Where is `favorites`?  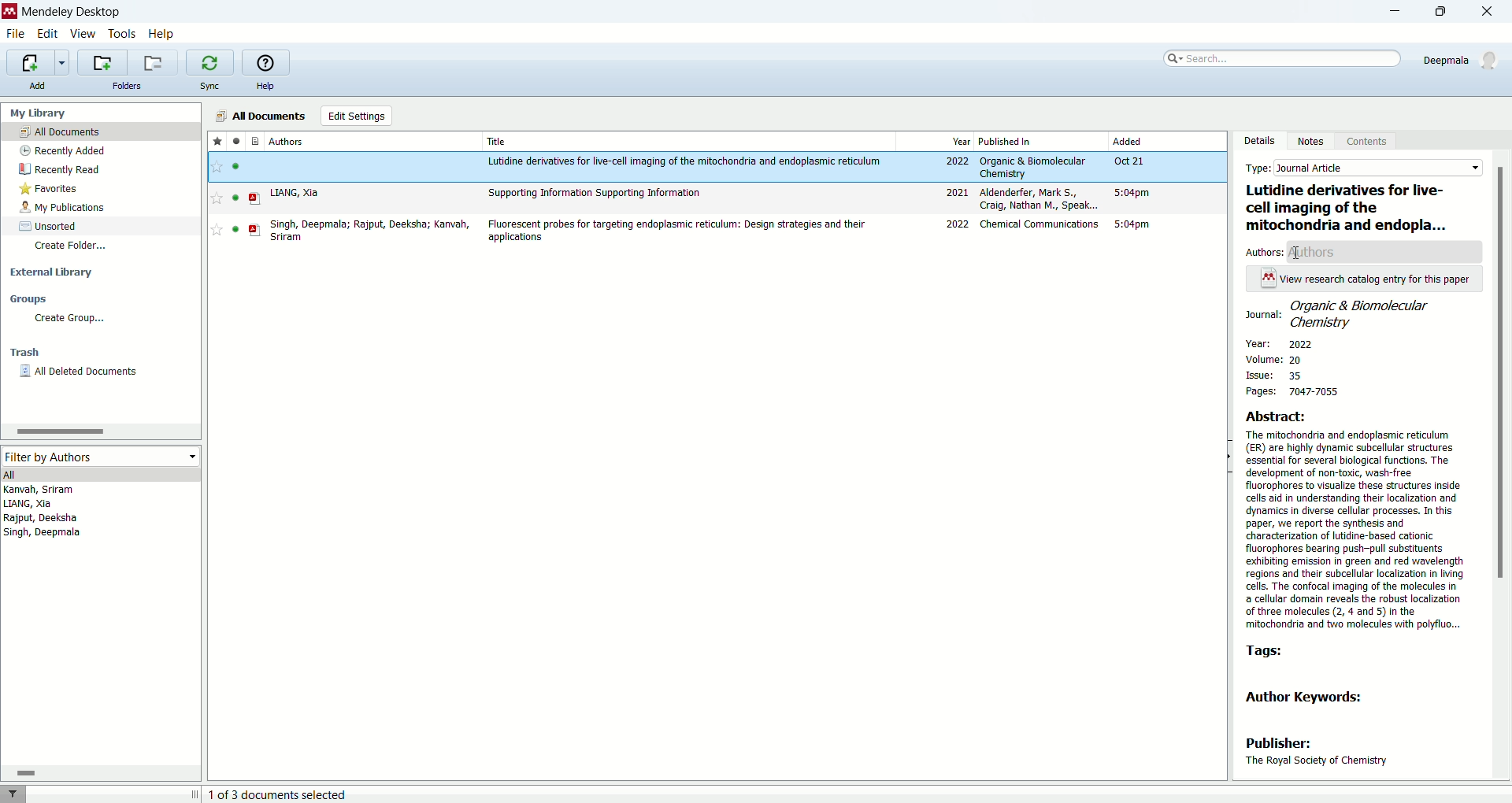
favorites is located at coordinates (50, 191).